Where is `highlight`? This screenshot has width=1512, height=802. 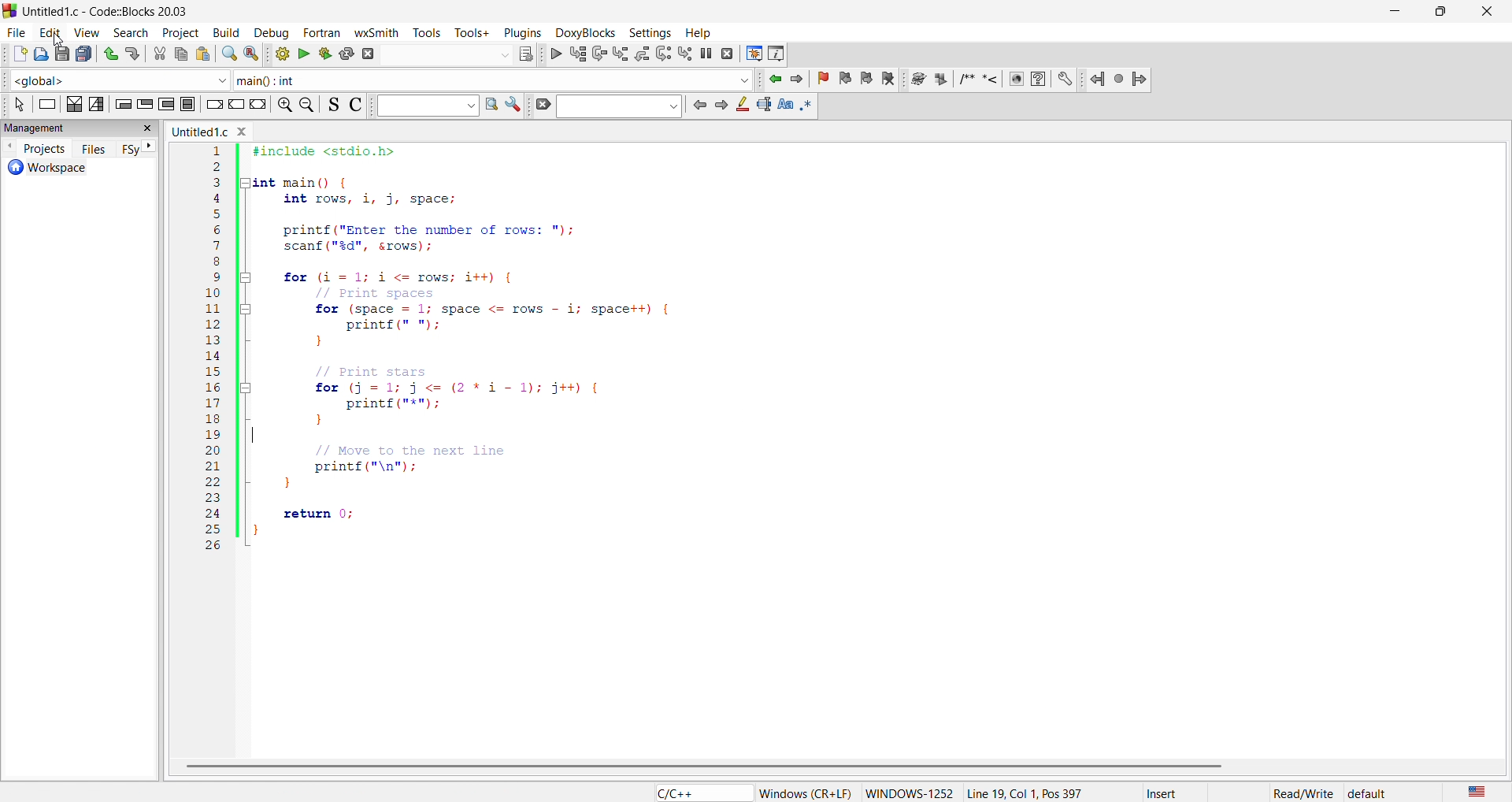
highlight is located at coordinates (740, 106).